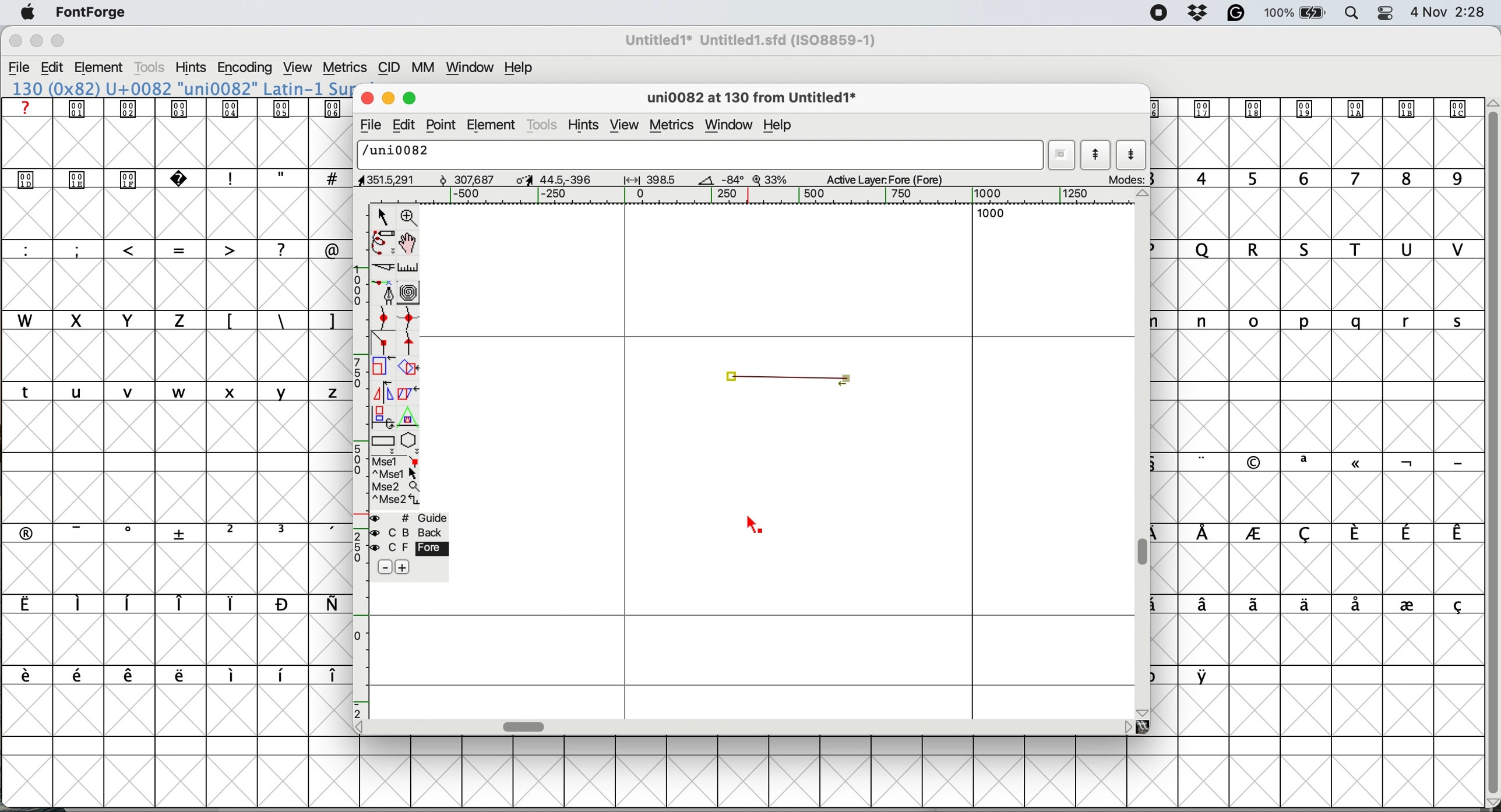 Image resolution: width=1501 pixels, height=812 pixels. I want to click on hints, so click(584, 126).